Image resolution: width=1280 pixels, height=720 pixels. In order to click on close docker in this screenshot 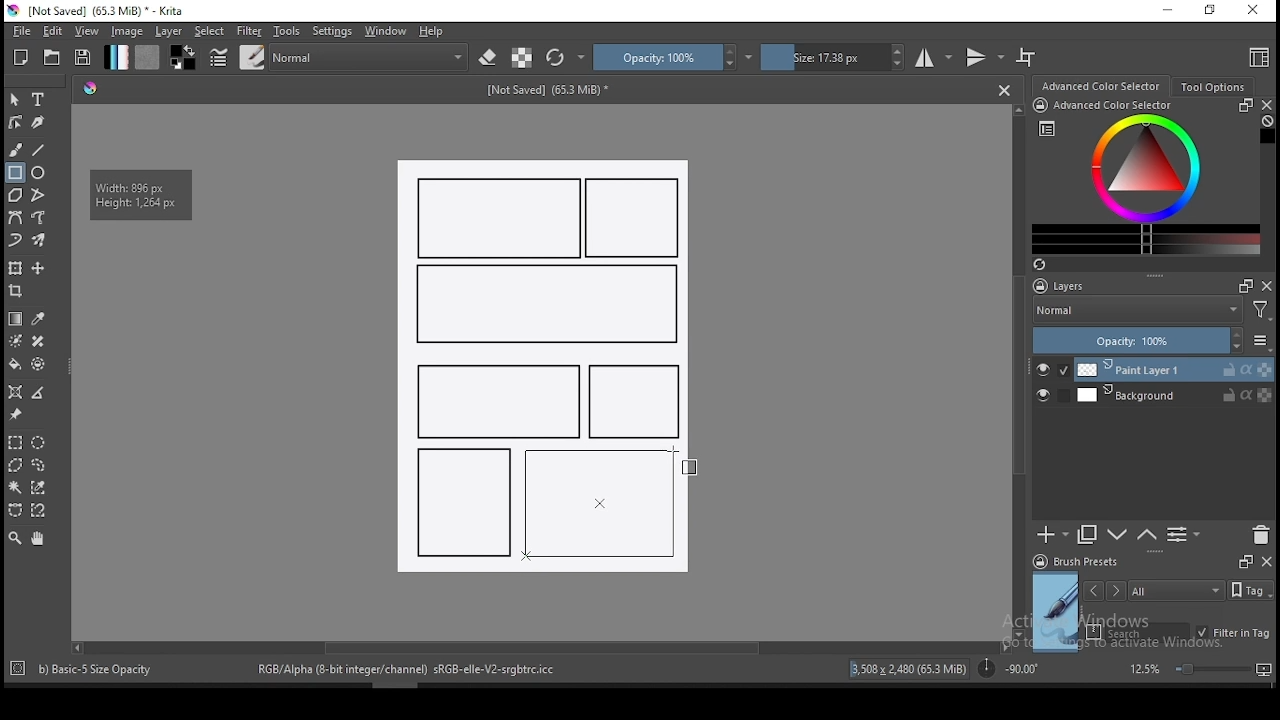, I will do `click(1266, 105)`.